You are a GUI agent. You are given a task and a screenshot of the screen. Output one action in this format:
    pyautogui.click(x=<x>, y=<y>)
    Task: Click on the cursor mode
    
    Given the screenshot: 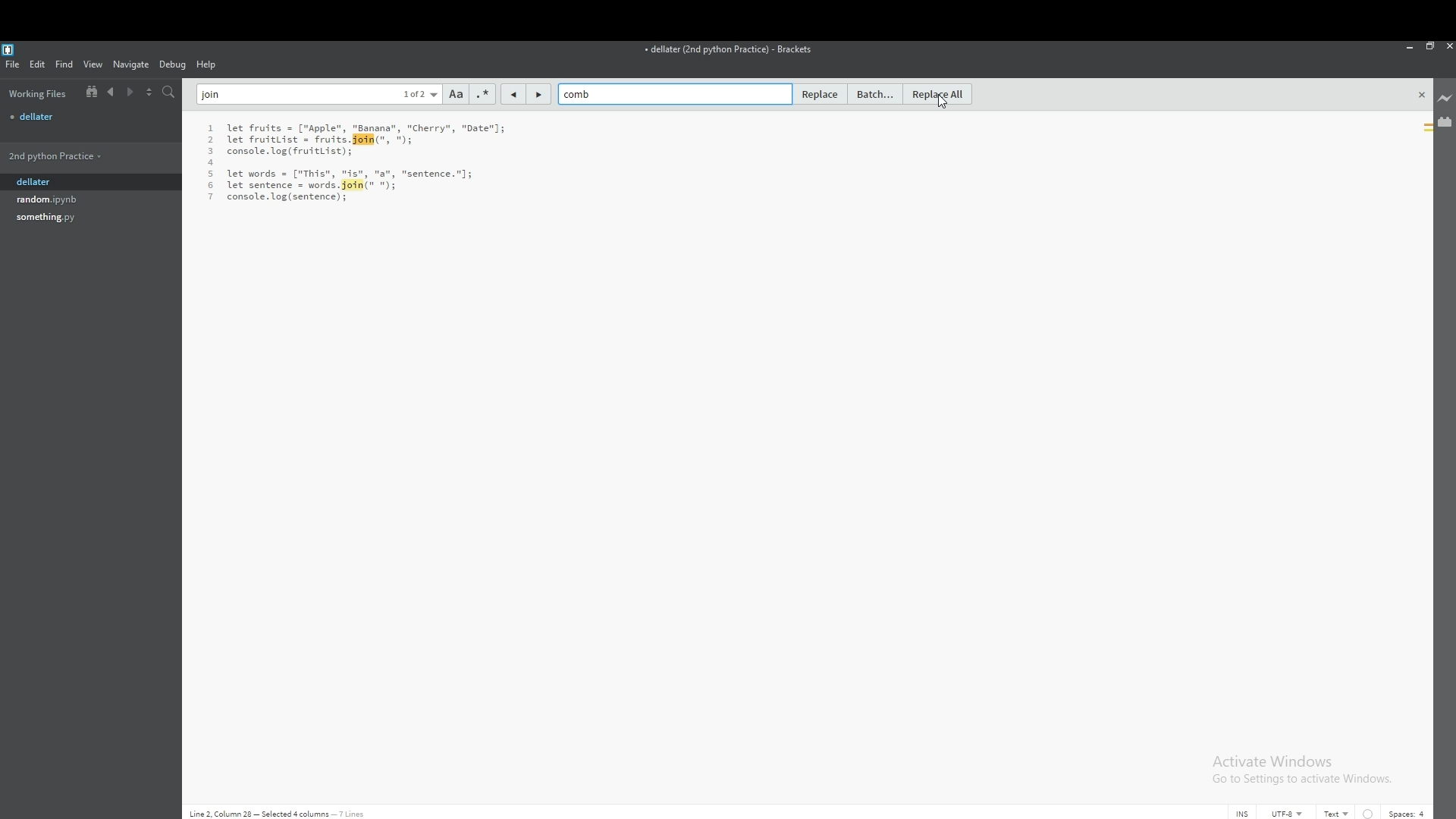 What is the action you would take?
    pyautogui.click(x=1242, y=813)
    